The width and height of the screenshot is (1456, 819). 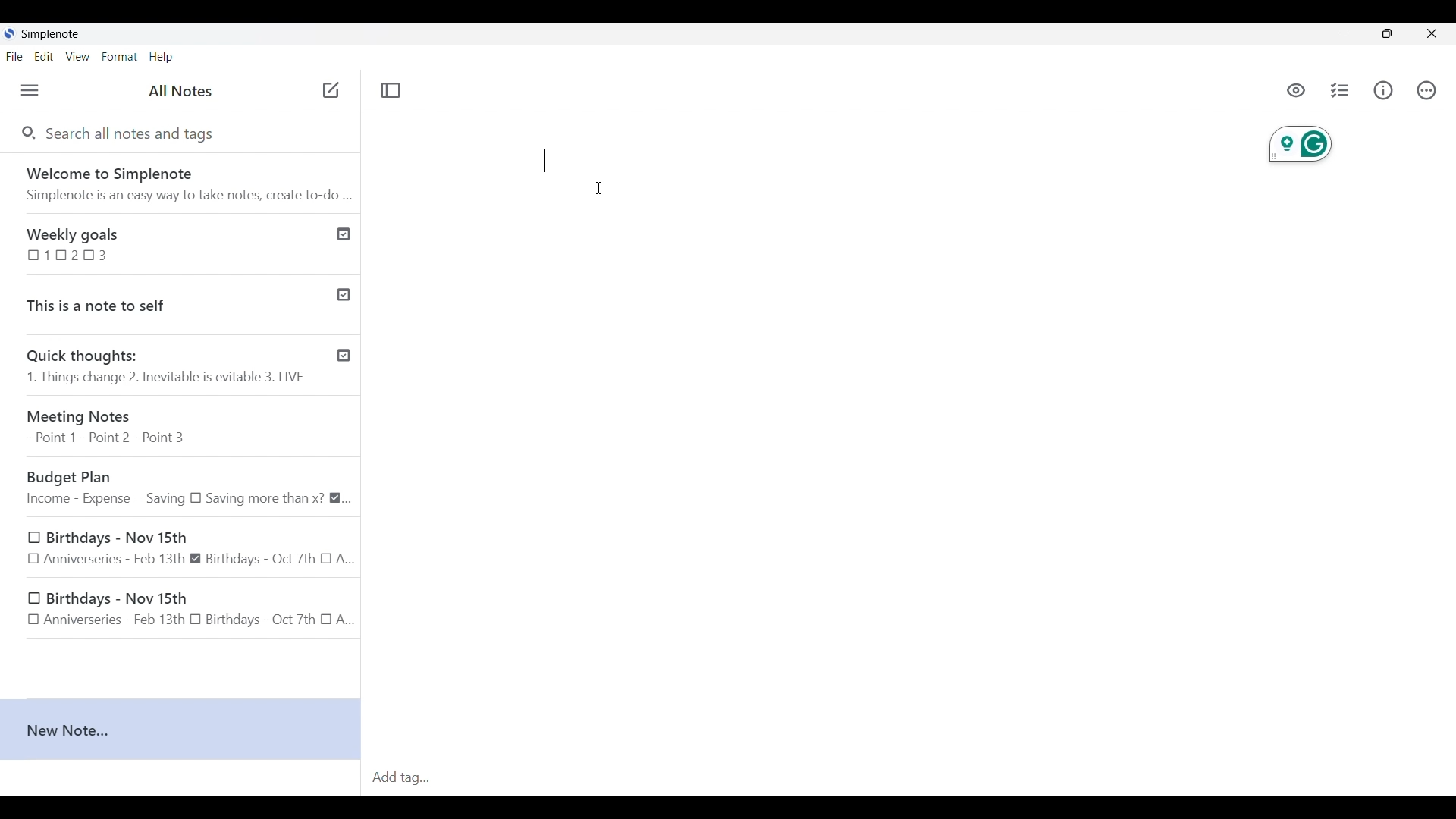 What do you see at coordinates (1341, 90) in the screenshot?
I see `Insert checklist` at bounding box center [1341, 90].